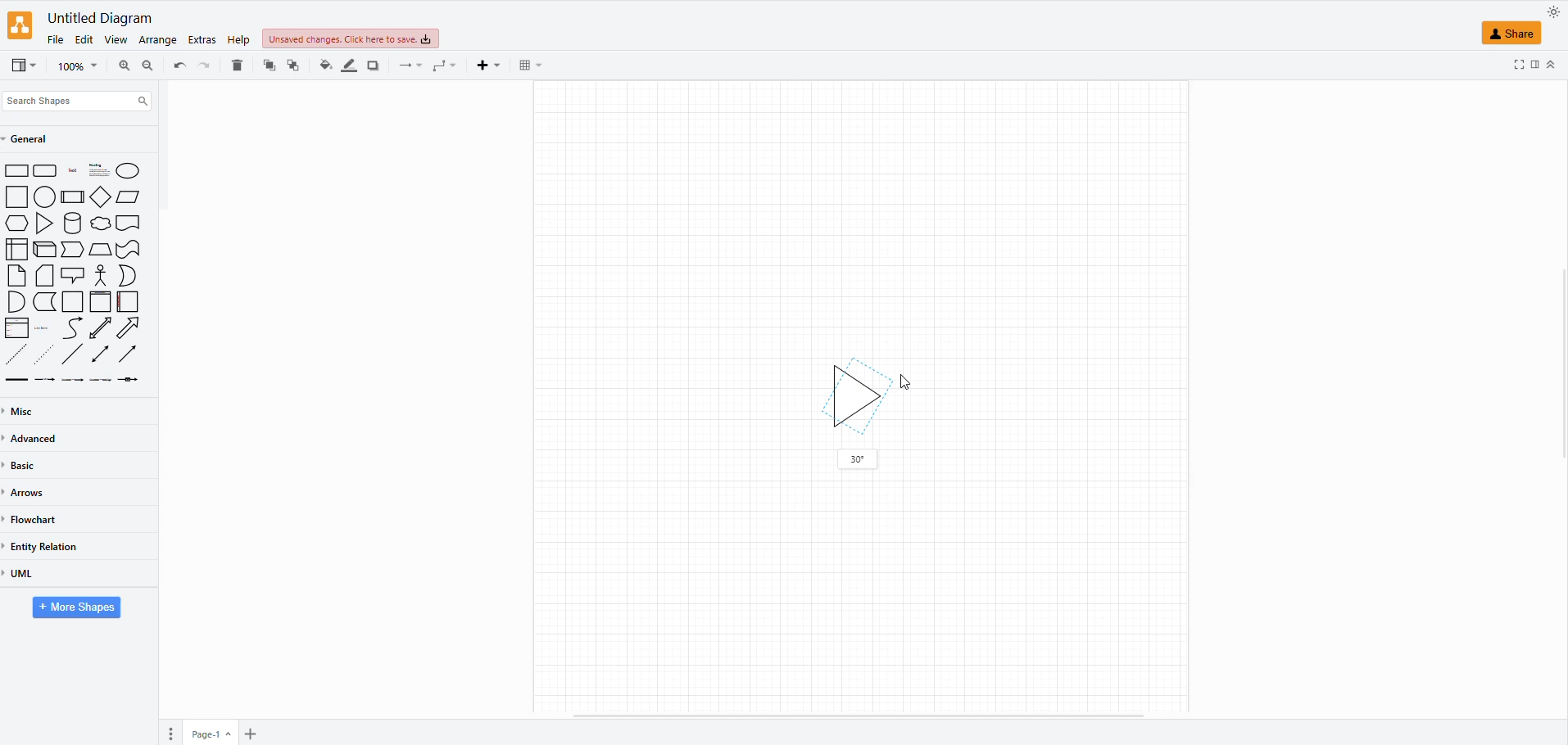 The height and width of the screenshot is (745, 1568). I want to click on Header, so click(128, 223).